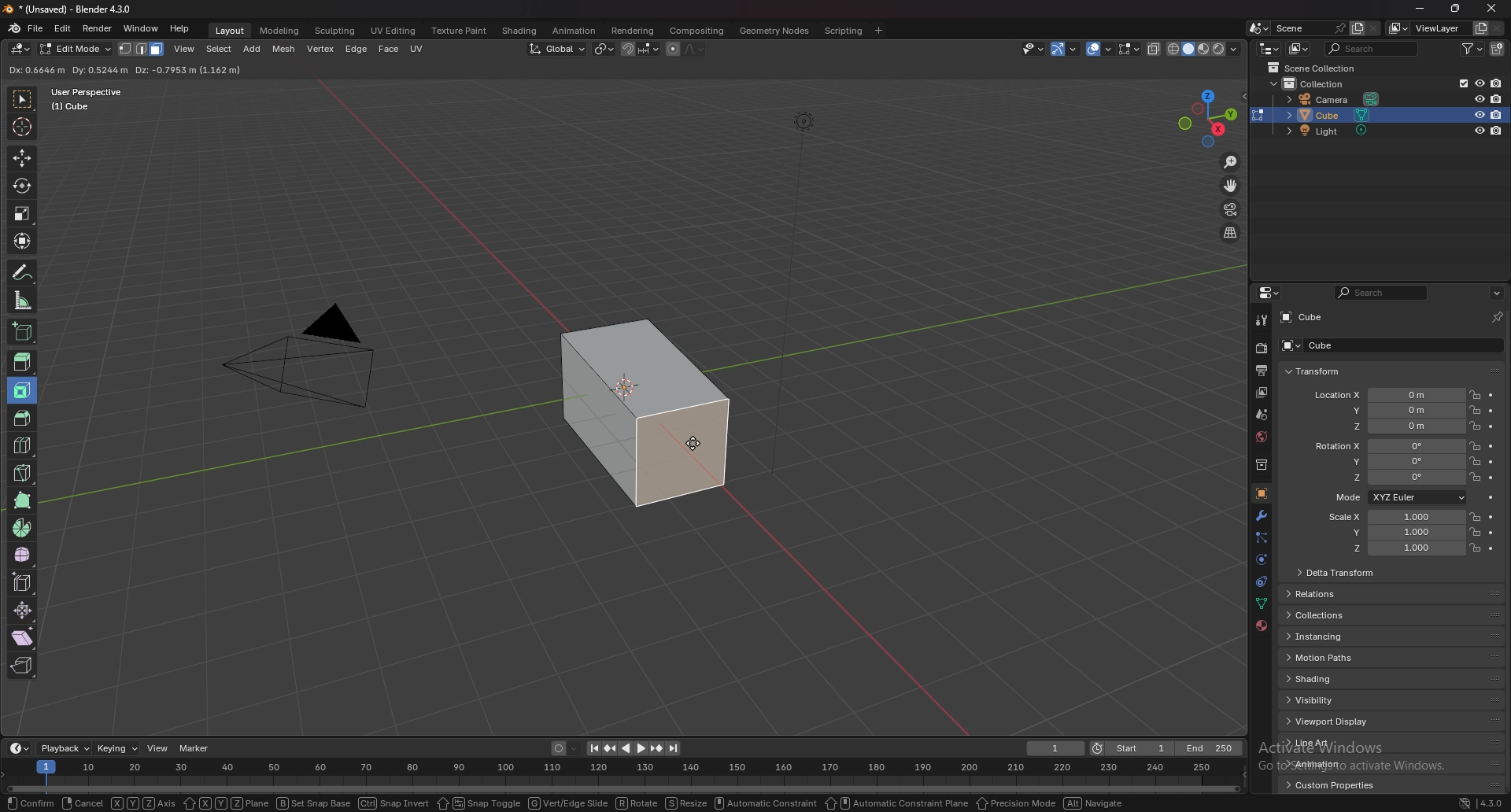 Image resolution: width=1511 pixels, height=812 pixels. What do you see at coordinates (1327, 615) in the screenshot?
I see `collections` at bounding box center [1327, 615].